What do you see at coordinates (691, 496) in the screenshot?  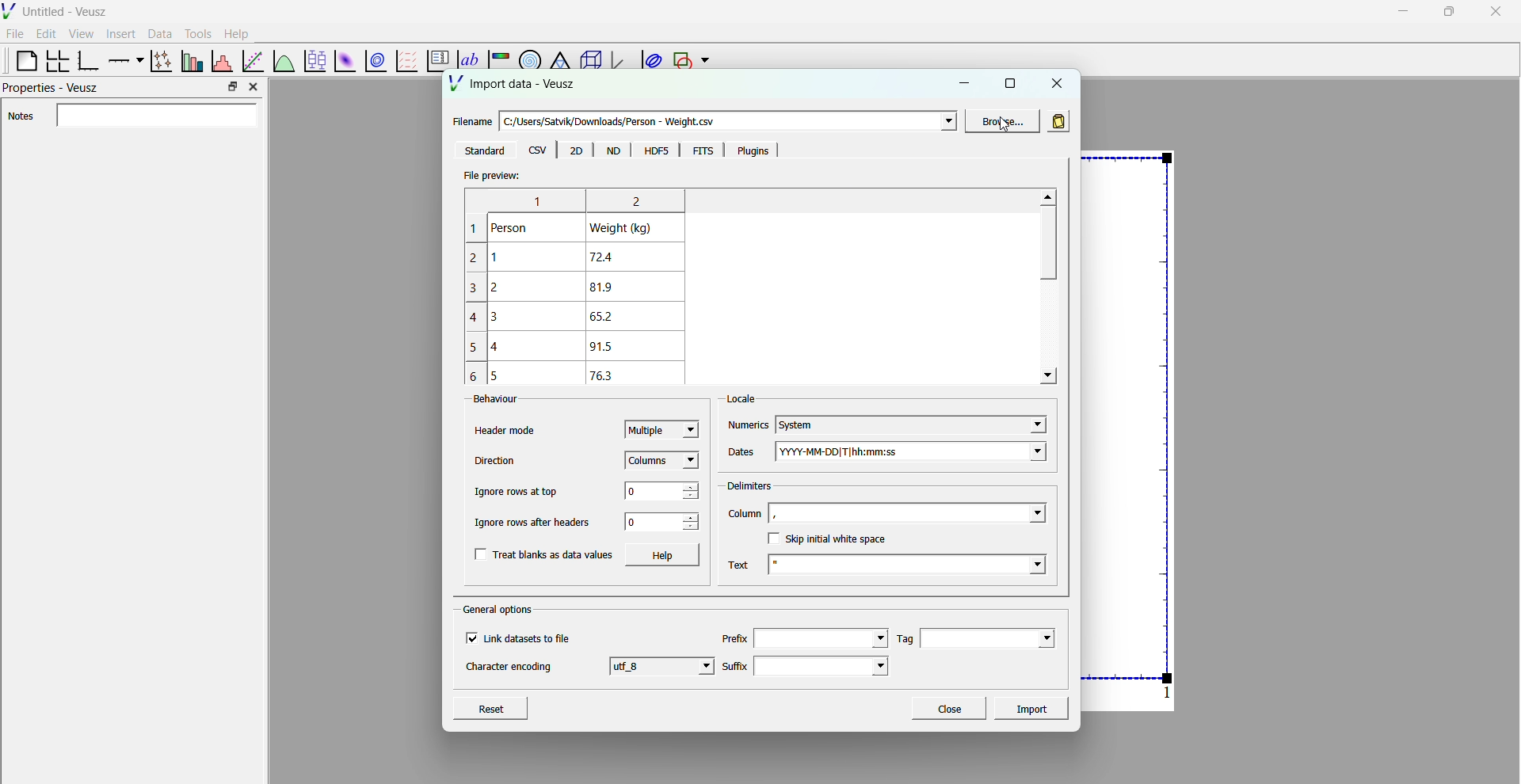 I see `decrease value` at bounding box center [691, 496].